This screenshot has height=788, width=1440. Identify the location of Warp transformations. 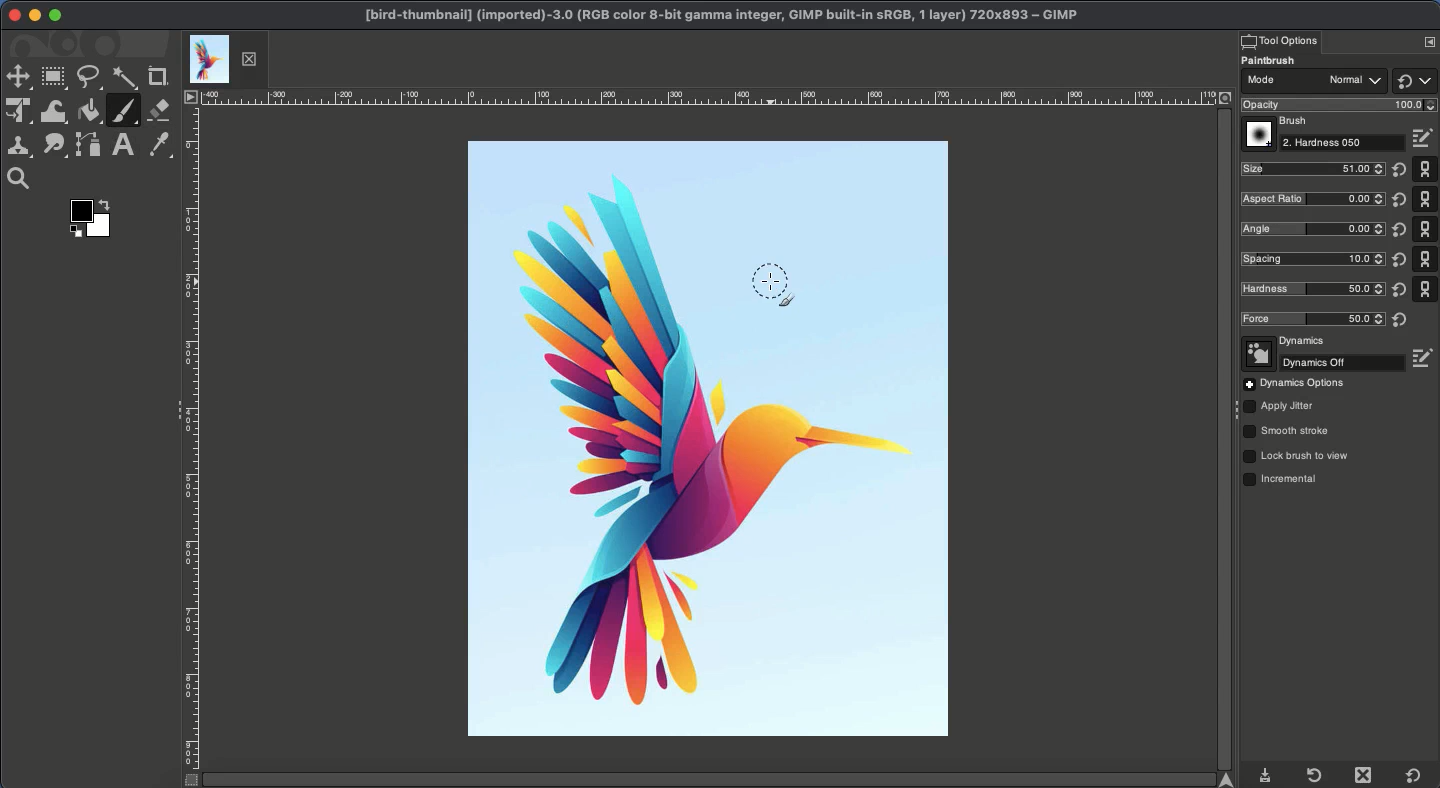
(56, 113).